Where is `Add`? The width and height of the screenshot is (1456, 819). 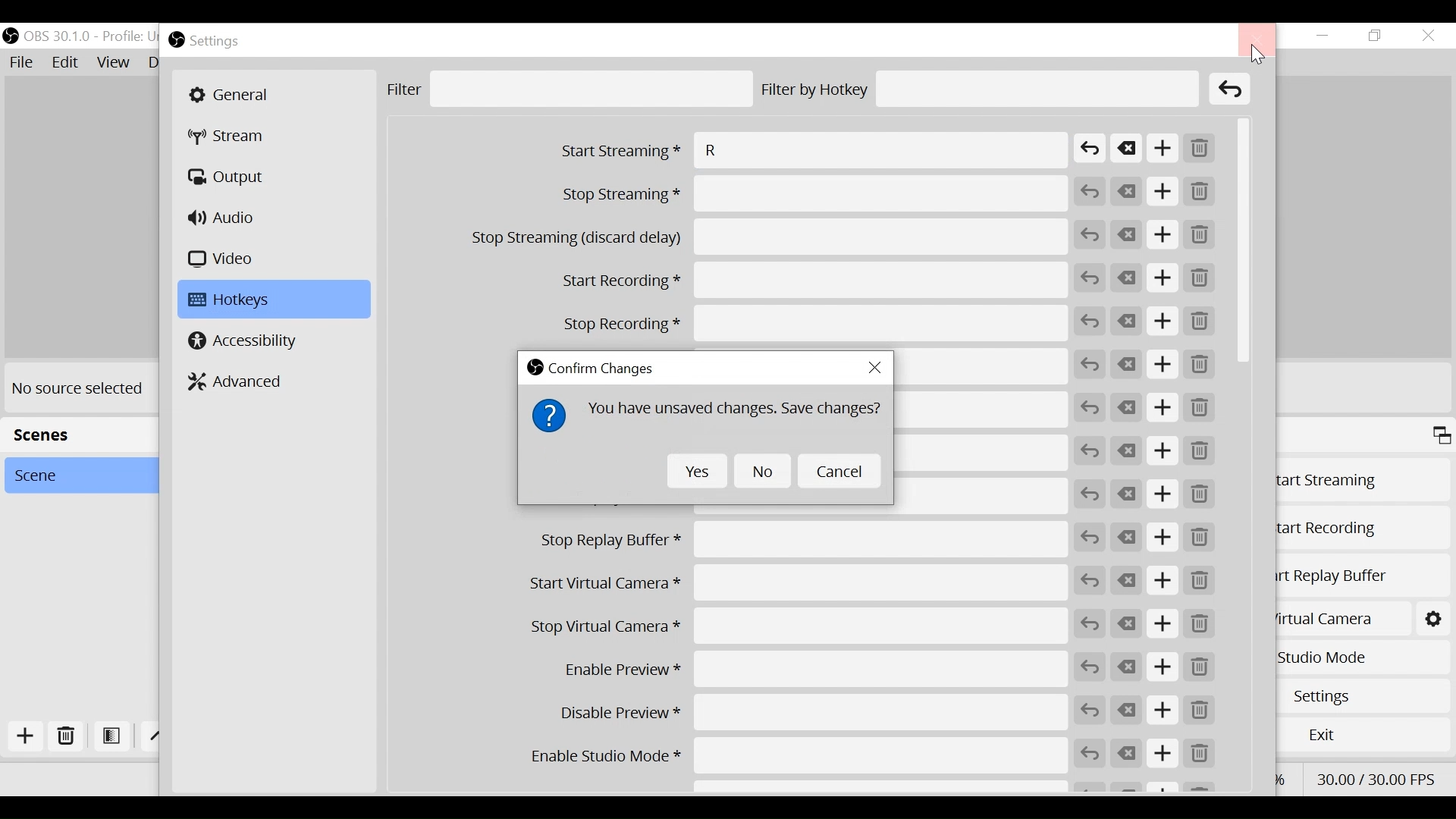 Add is located at coordinates (1164, 193).